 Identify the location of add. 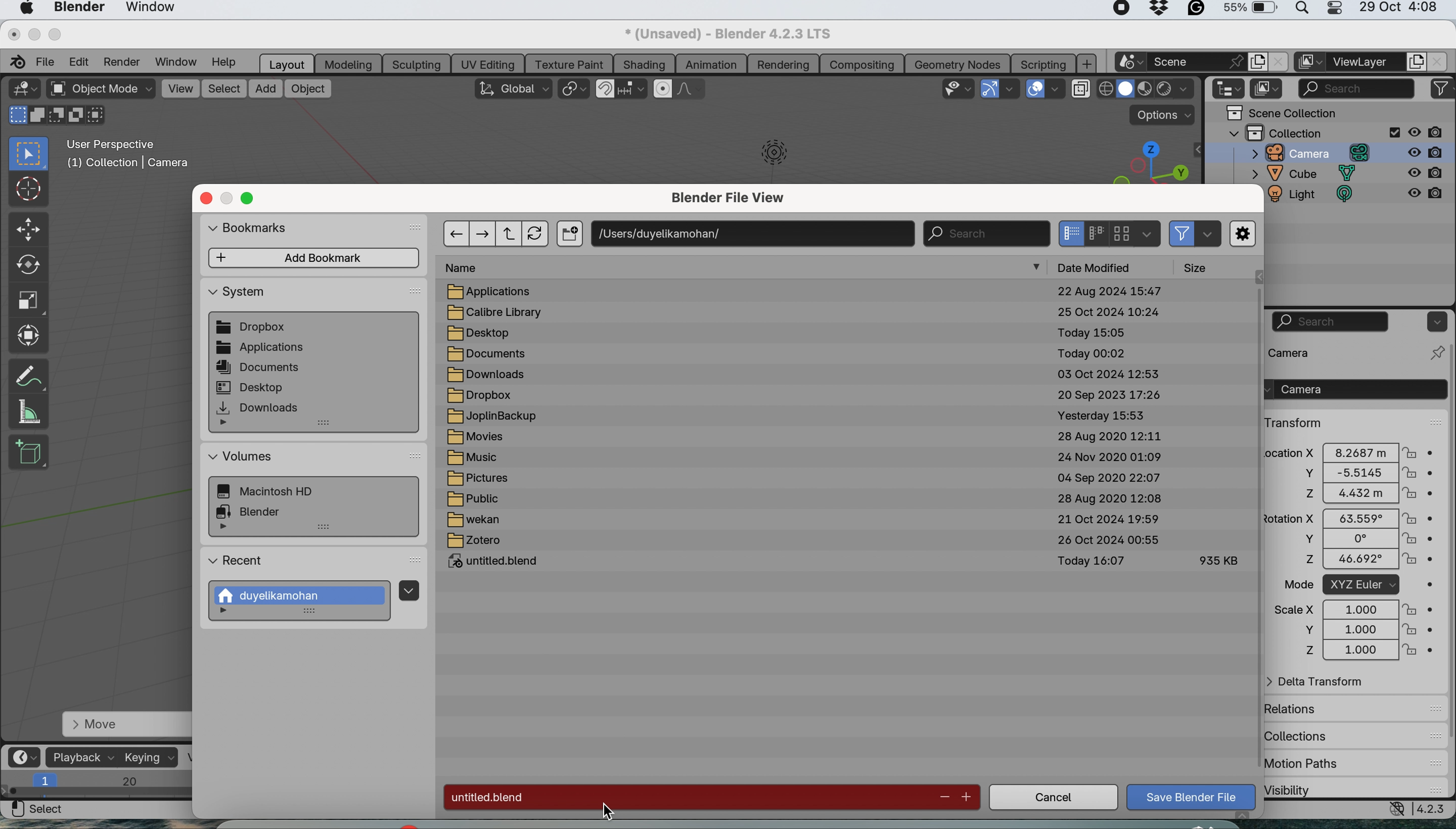
(266, 89).